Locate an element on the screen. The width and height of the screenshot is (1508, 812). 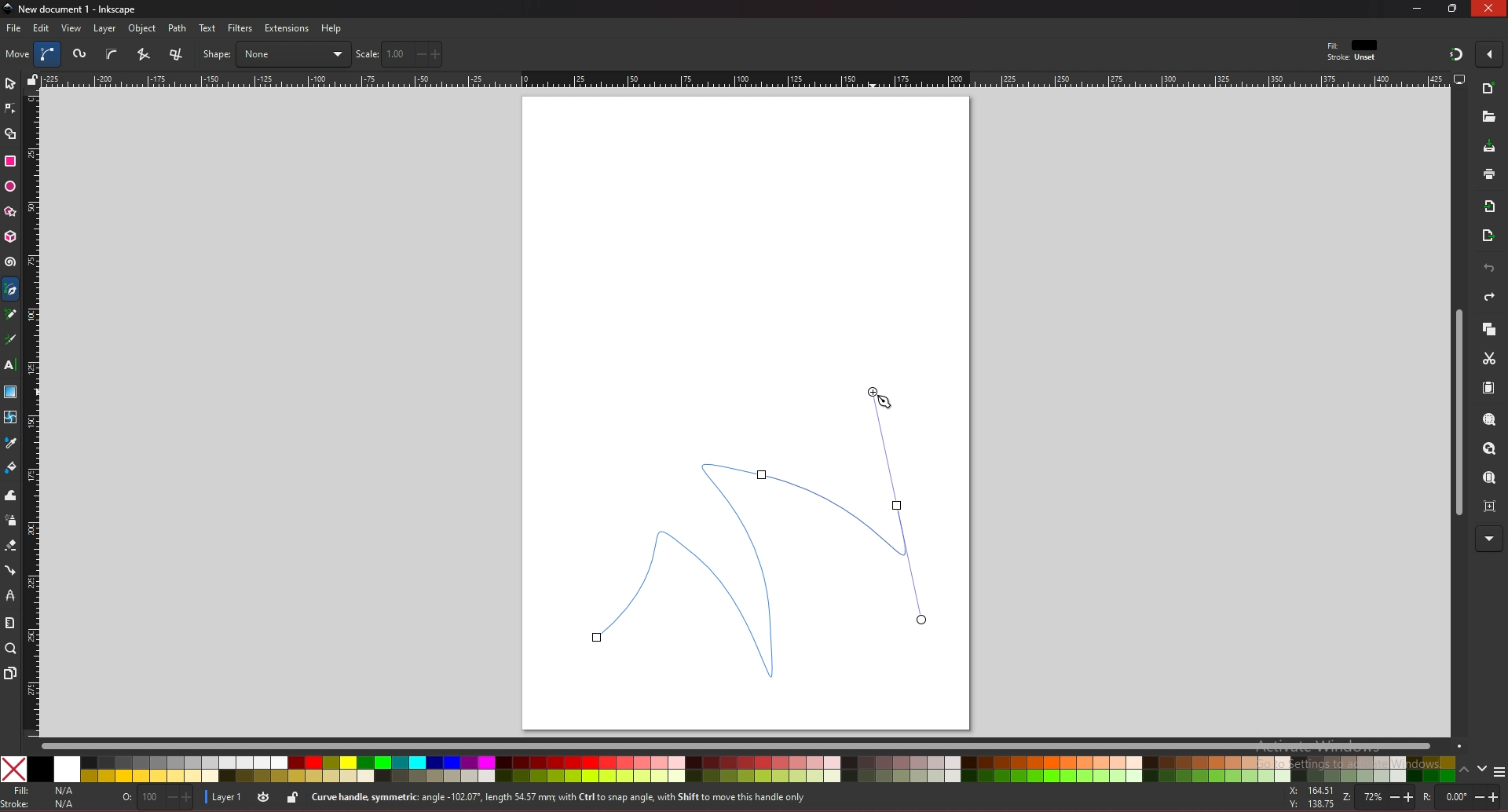
squence of straight line segments is located at coordinates (143, 54).